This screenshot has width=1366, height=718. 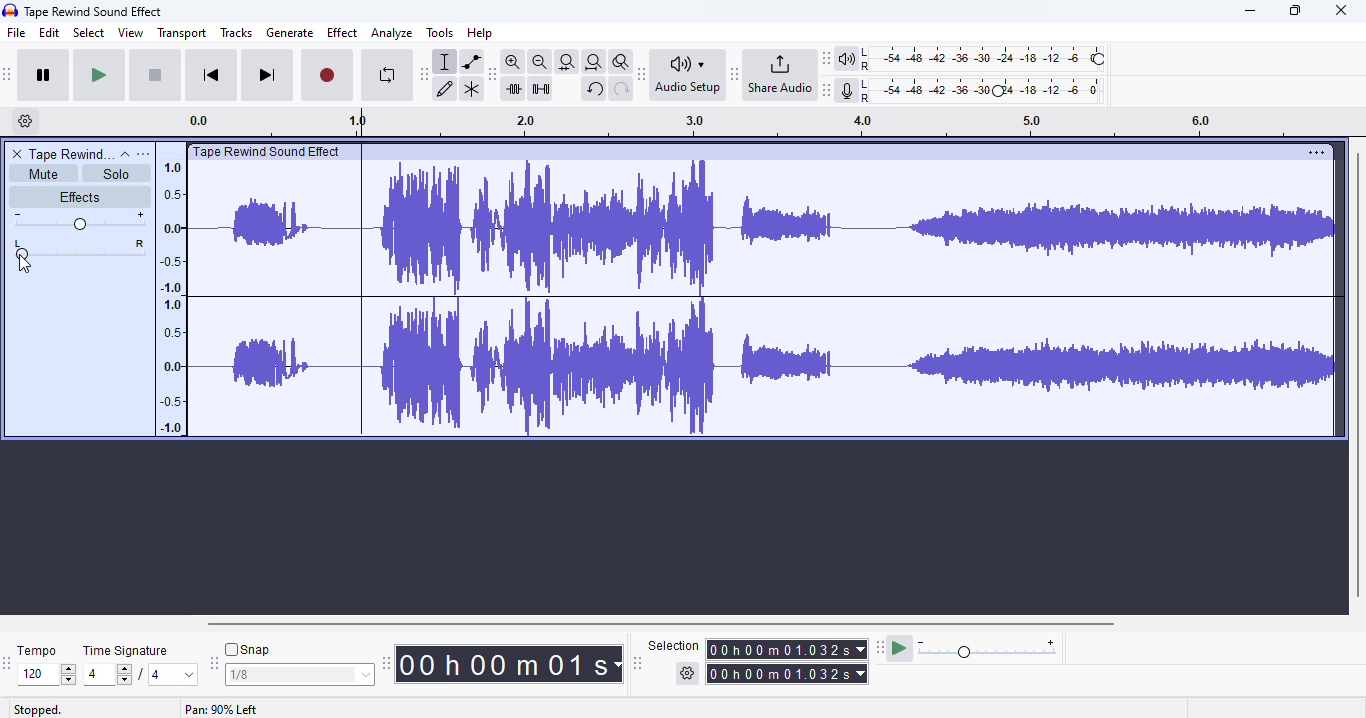 What do you see at coordinates (44, 75) in the screenshot?
I see `pause` at bounding box center [44, 75].